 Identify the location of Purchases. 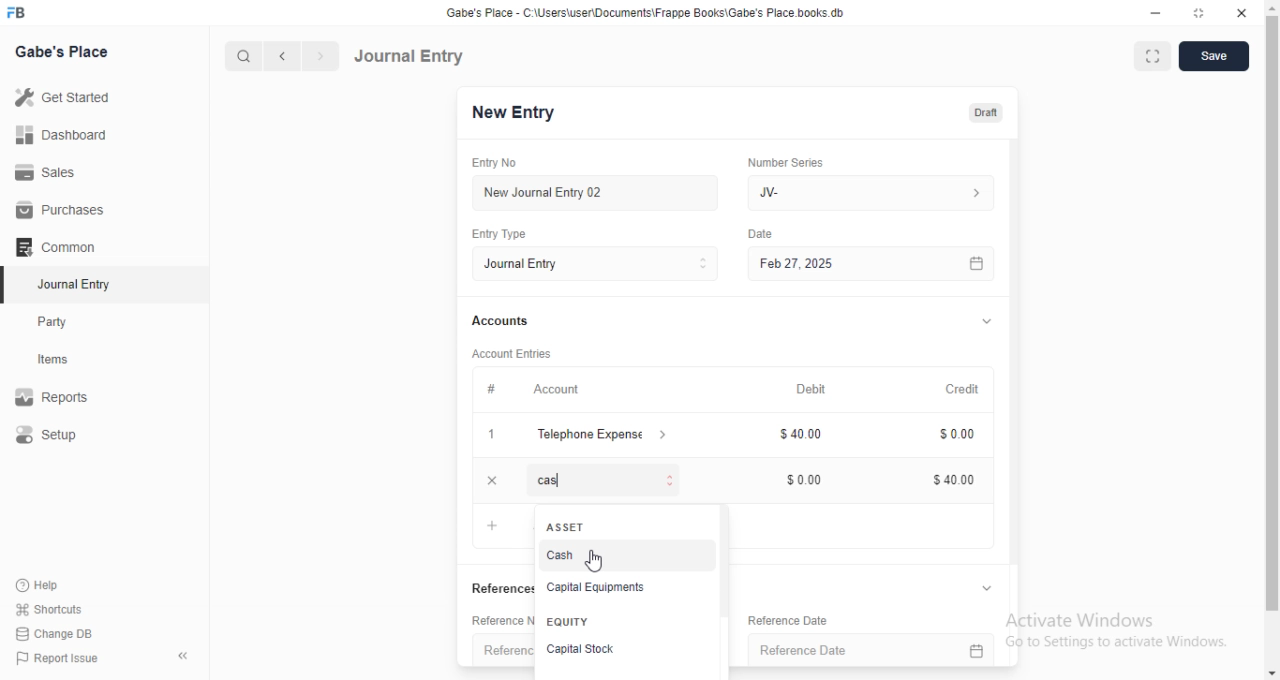
(56, 208).